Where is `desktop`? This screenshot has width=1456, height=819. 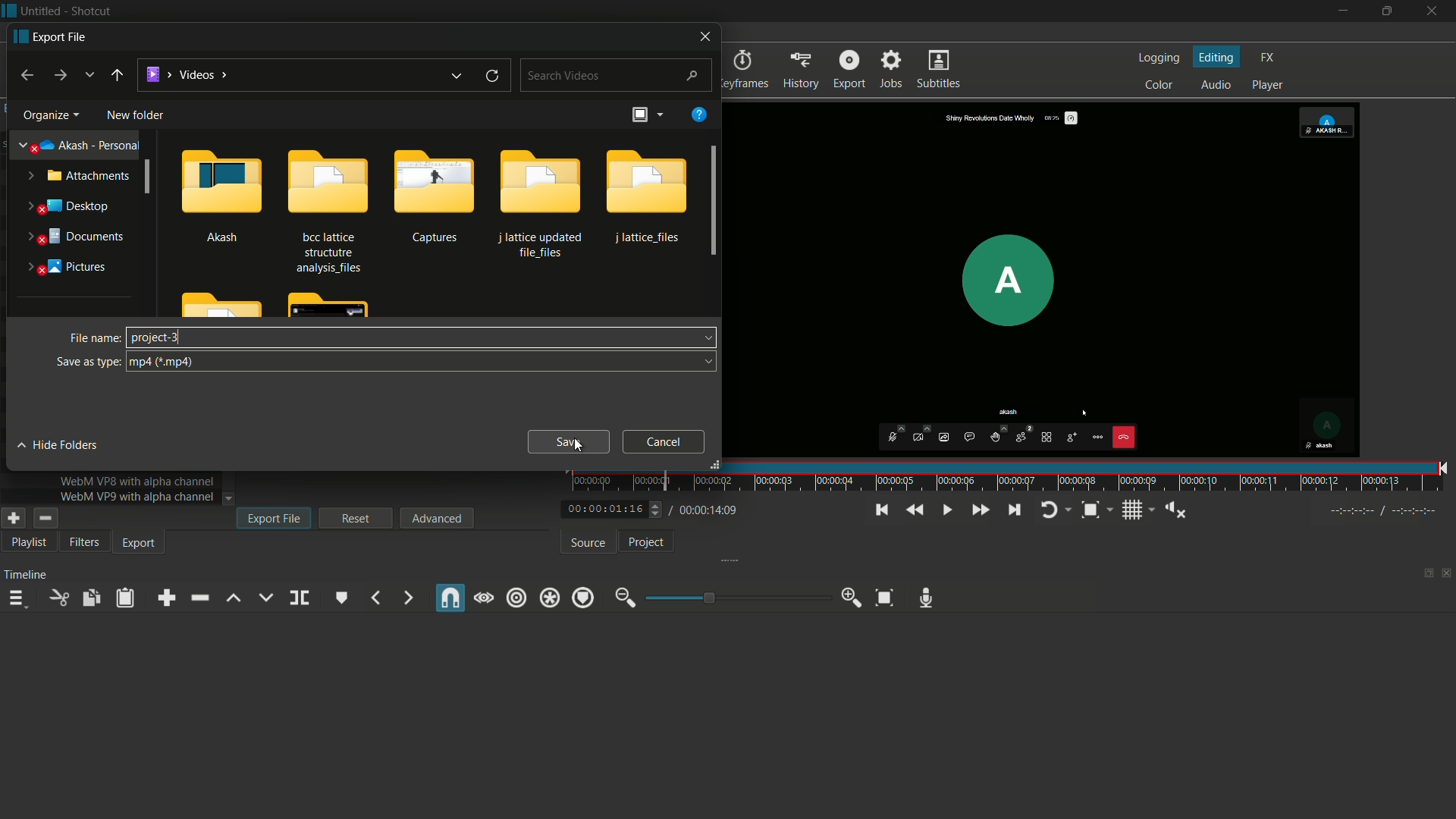
desktop is located at coordinates (71, 206).